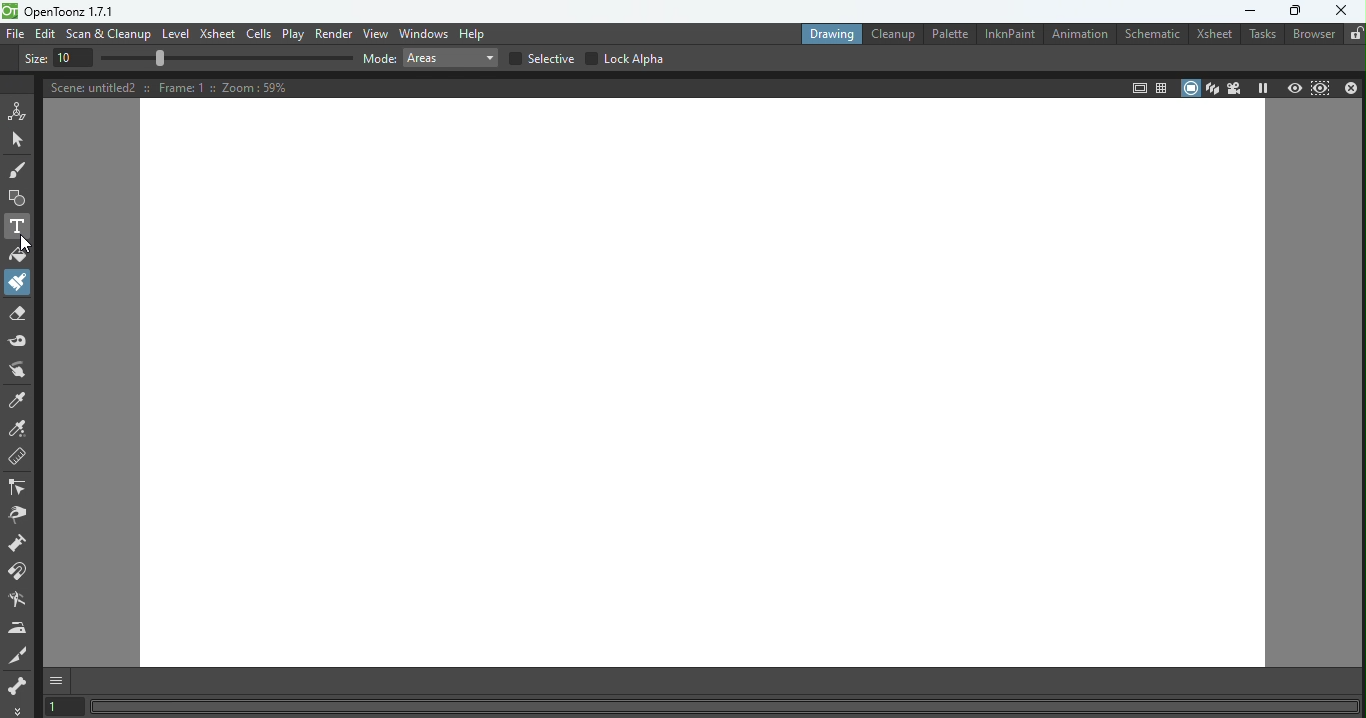  What do you see at coordinates (261, 33) in the screenshot?
I see `Cells` at bounding box center [261, 33].